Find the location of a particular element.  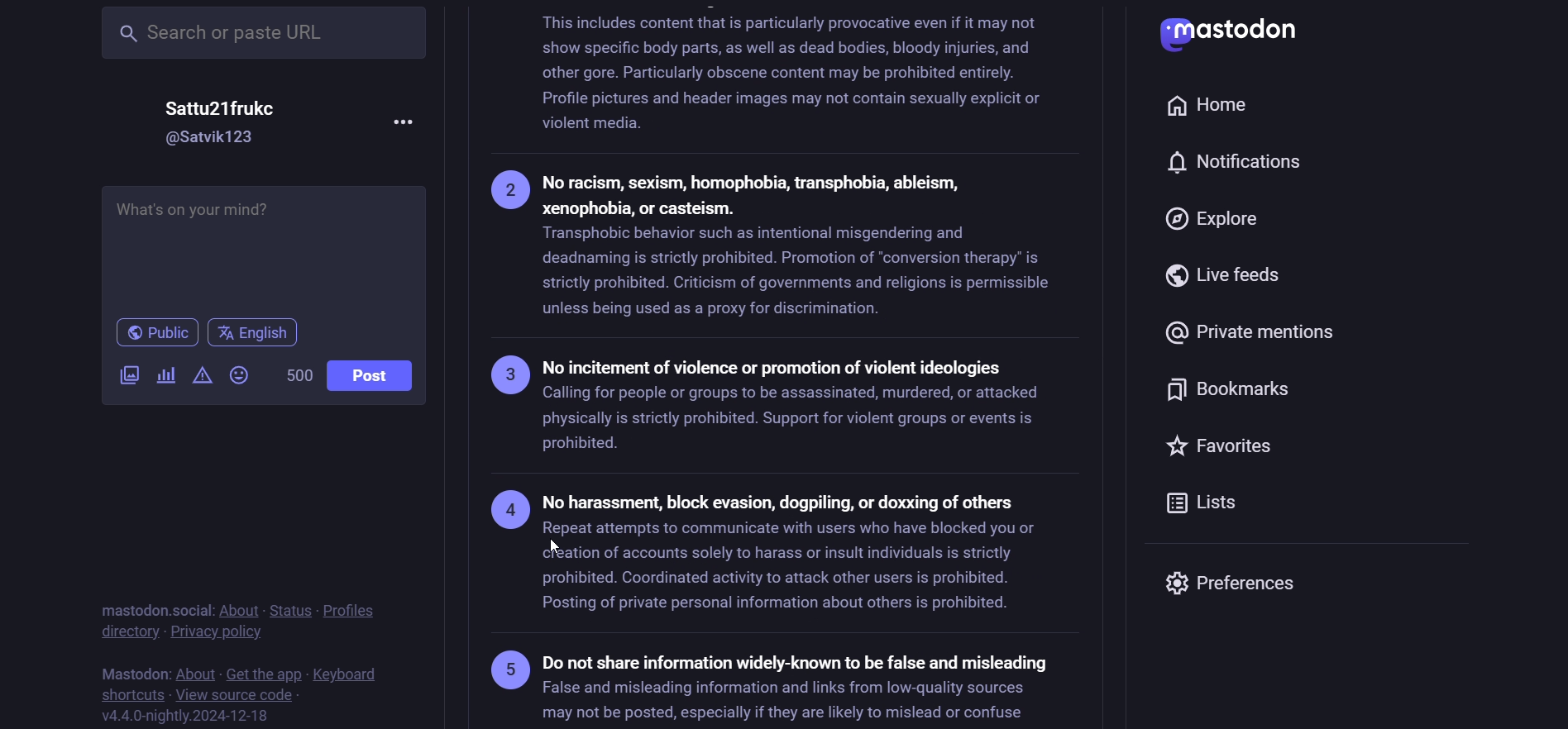

image/video is located at coordinates (127, 374).